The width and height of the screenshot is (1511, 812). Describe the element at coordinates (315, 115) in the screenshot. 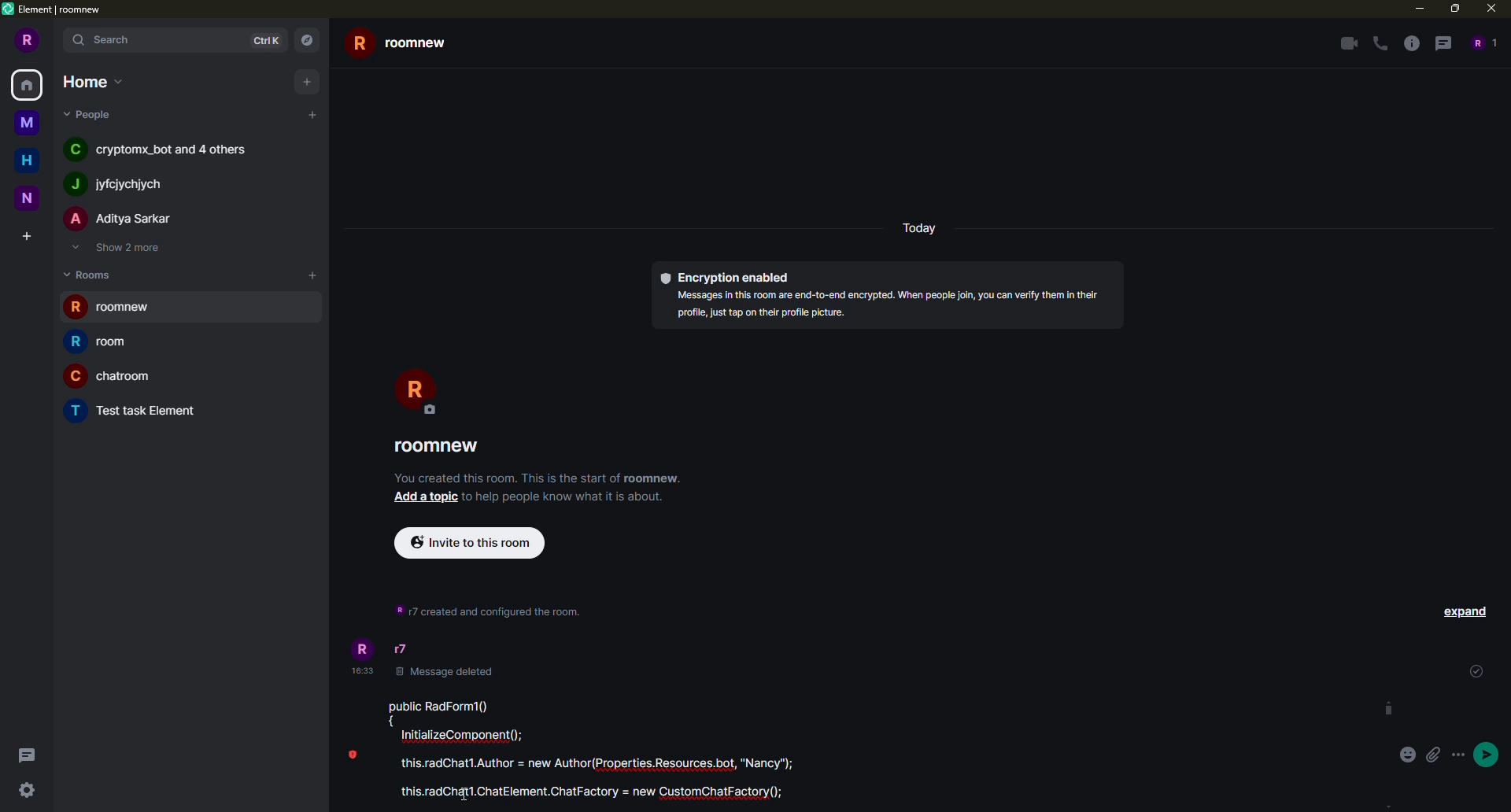

I see `add` at that location.